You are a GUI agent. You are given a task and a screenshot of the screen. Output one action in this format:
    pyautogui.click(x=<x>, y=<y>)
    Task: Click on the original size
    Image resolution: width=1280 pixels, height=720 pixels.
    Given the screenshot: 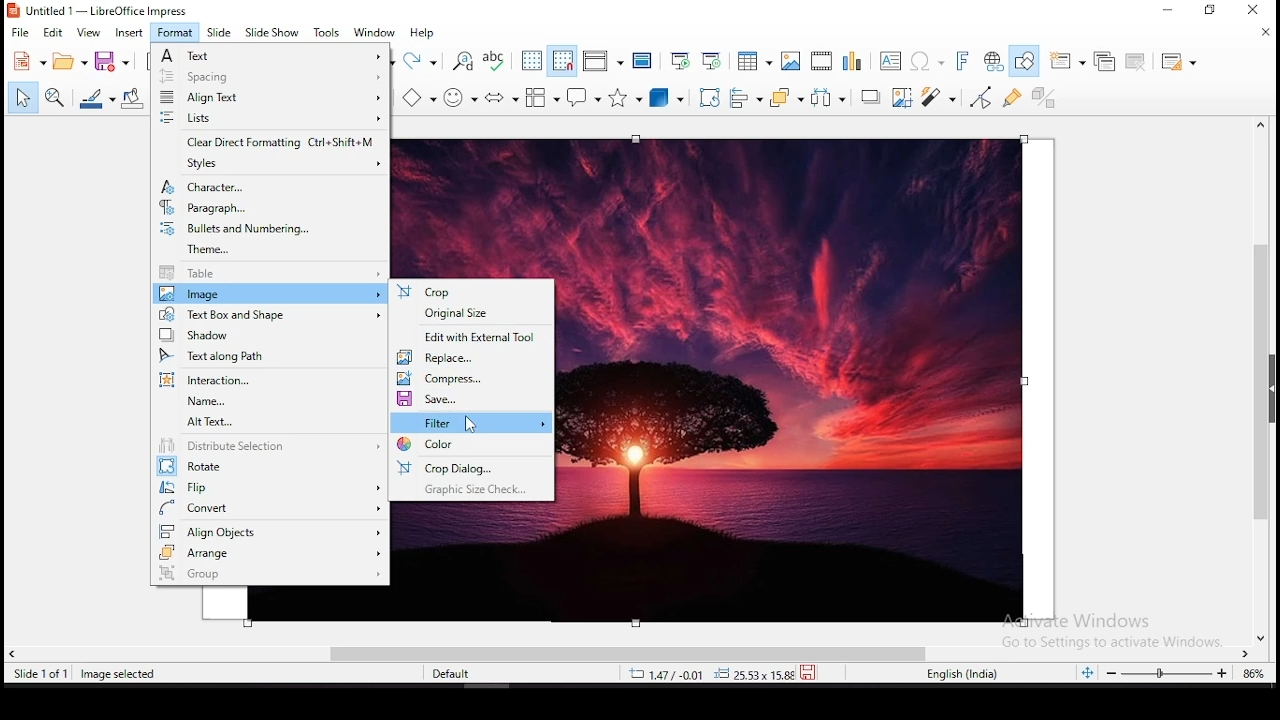 What is the action you would take?
    pyautogui.click(x=475, y=316)
    